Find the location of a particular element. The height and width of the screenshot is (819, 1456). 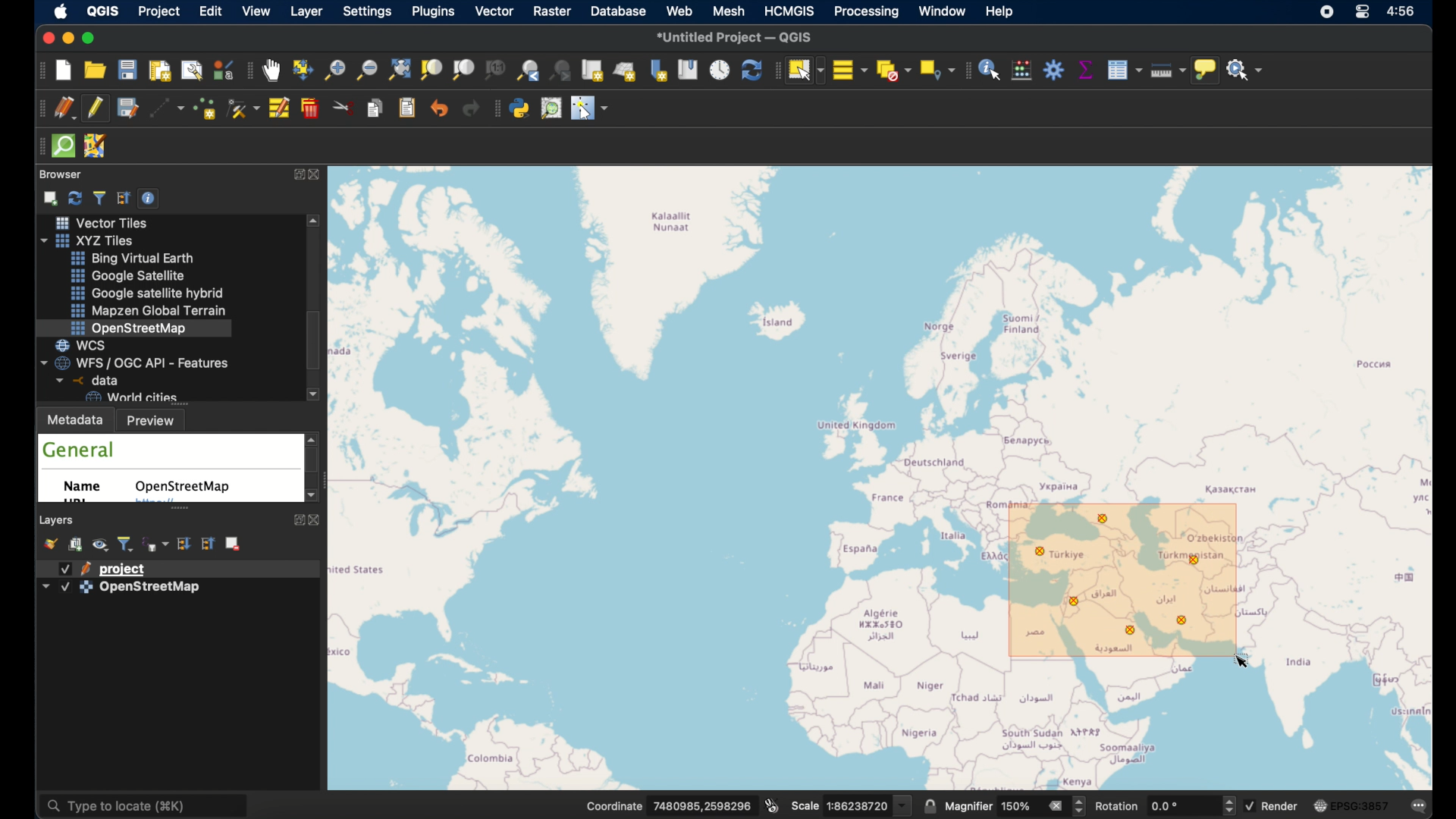

google satellite hybrid is located at coordinates (145, 293).